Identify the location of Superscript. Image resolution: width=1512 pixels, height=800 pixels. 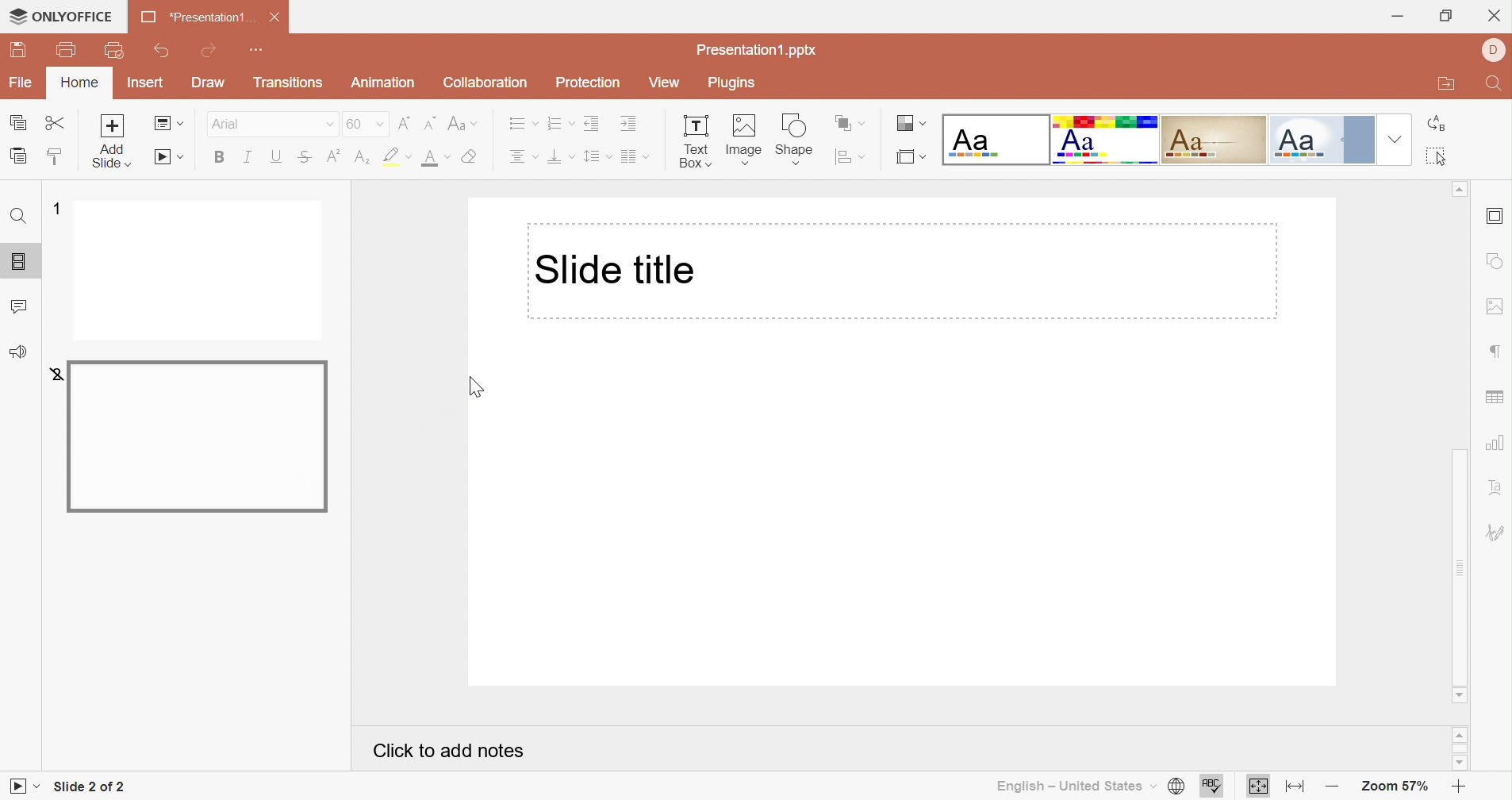
(333, 155).